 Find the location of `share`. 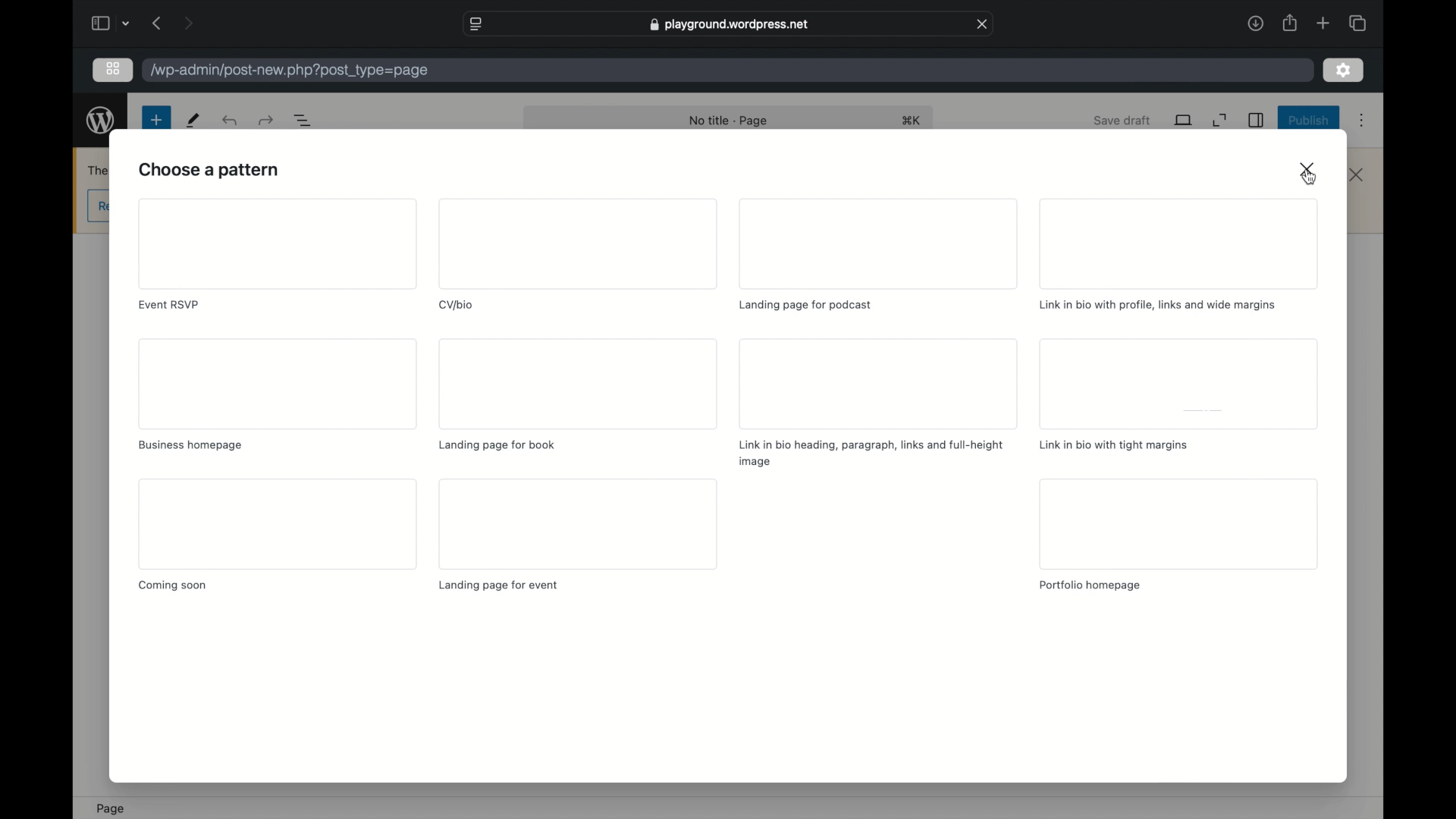

share is located at coordinates (1291, 23).